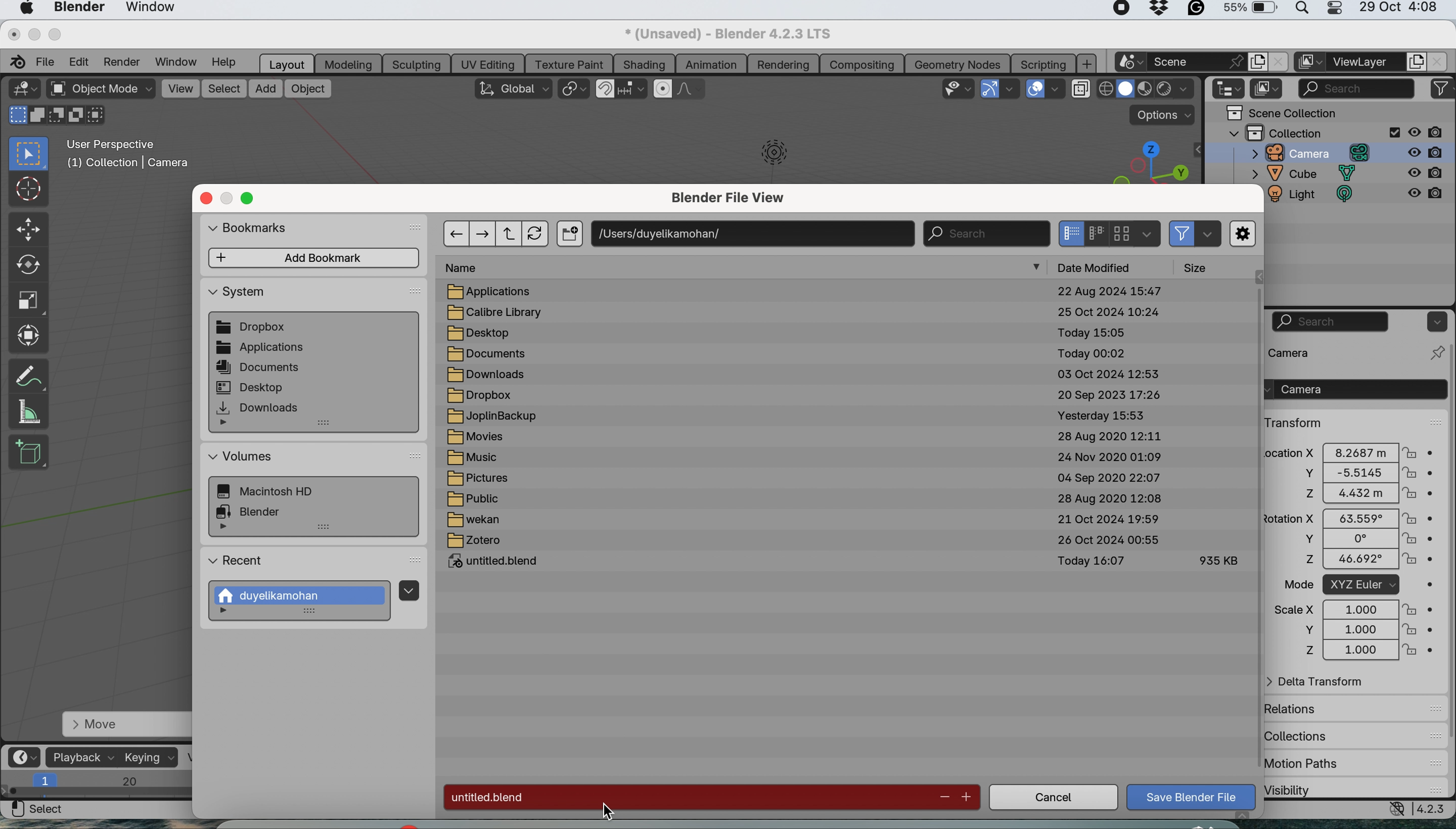 This screenshot has width=1456, height=829. What do you see at coordinates (29, 154) in the screenshot?
I see `select box` at bounding box center [29, 154].